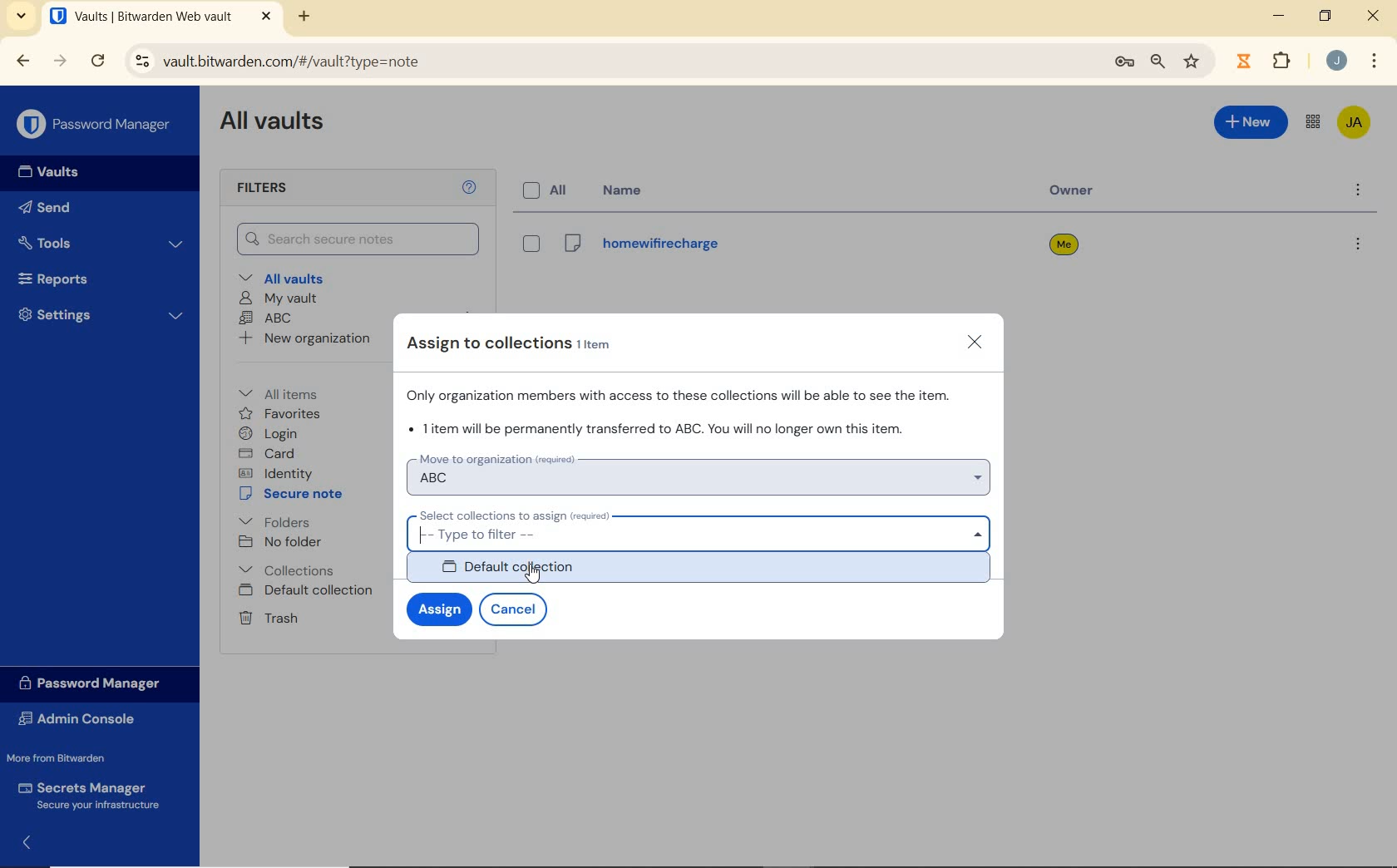  Describe the element at coordinates (266, 319) in the screenshot. I see `ABC` at that location.